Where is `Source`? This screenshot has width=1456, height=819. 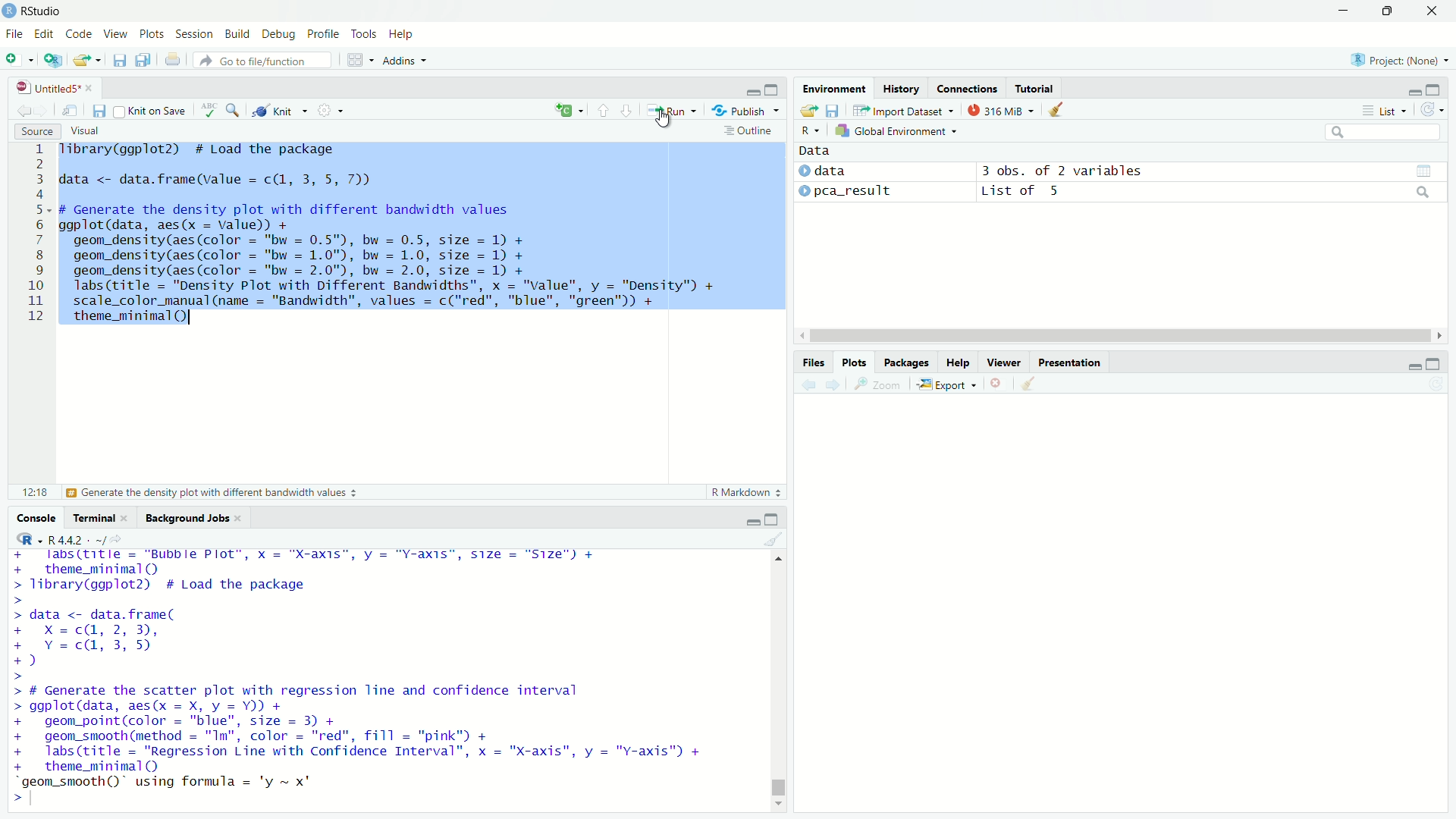
Source is located at coordinates (36, 131).